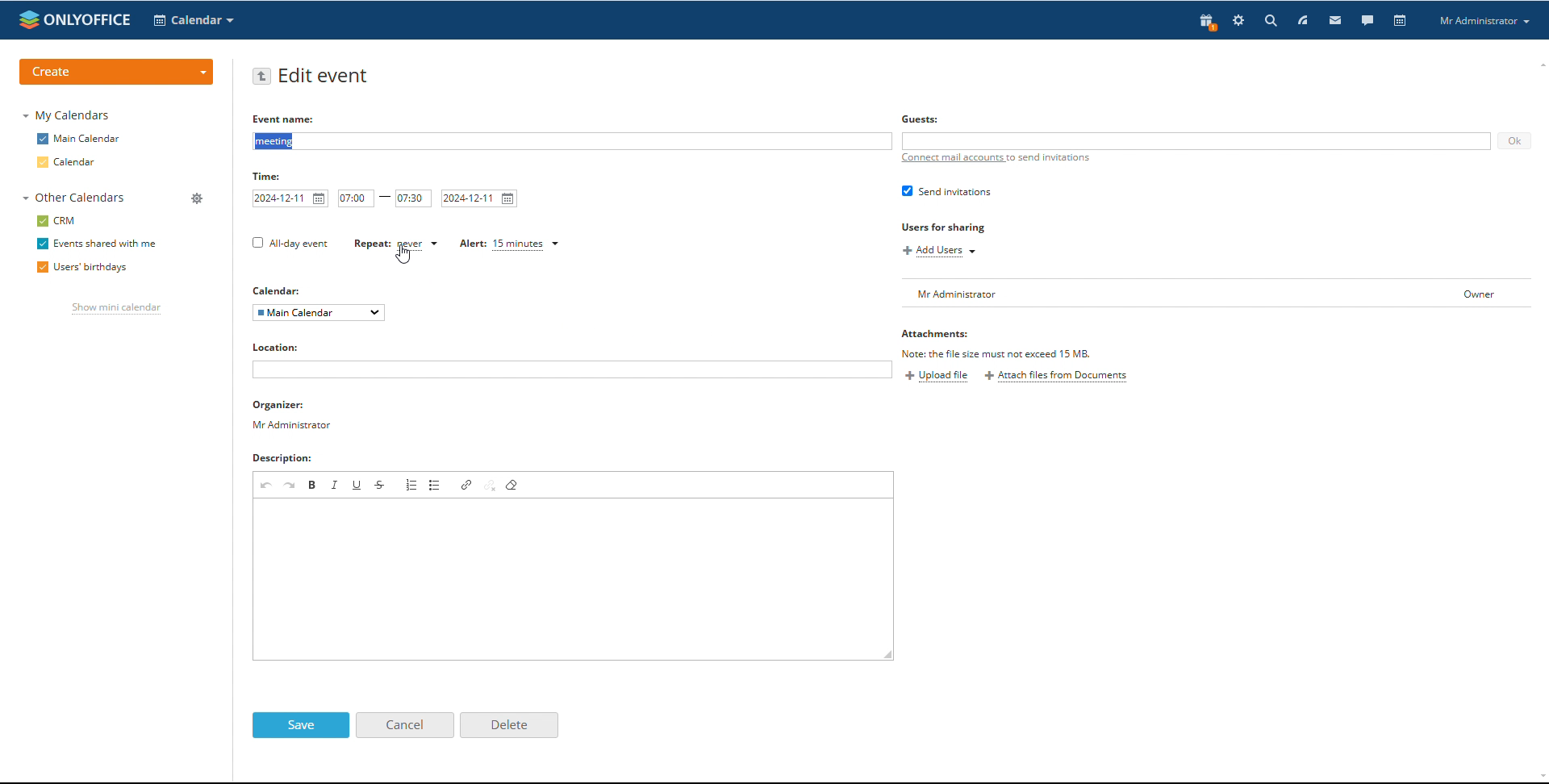 The width and height of the screenshot is (1549, 784). What do you see at coordinates (116, 310) in the screenshot?
I see `show mini calendar` at bounding box center [116, 310].